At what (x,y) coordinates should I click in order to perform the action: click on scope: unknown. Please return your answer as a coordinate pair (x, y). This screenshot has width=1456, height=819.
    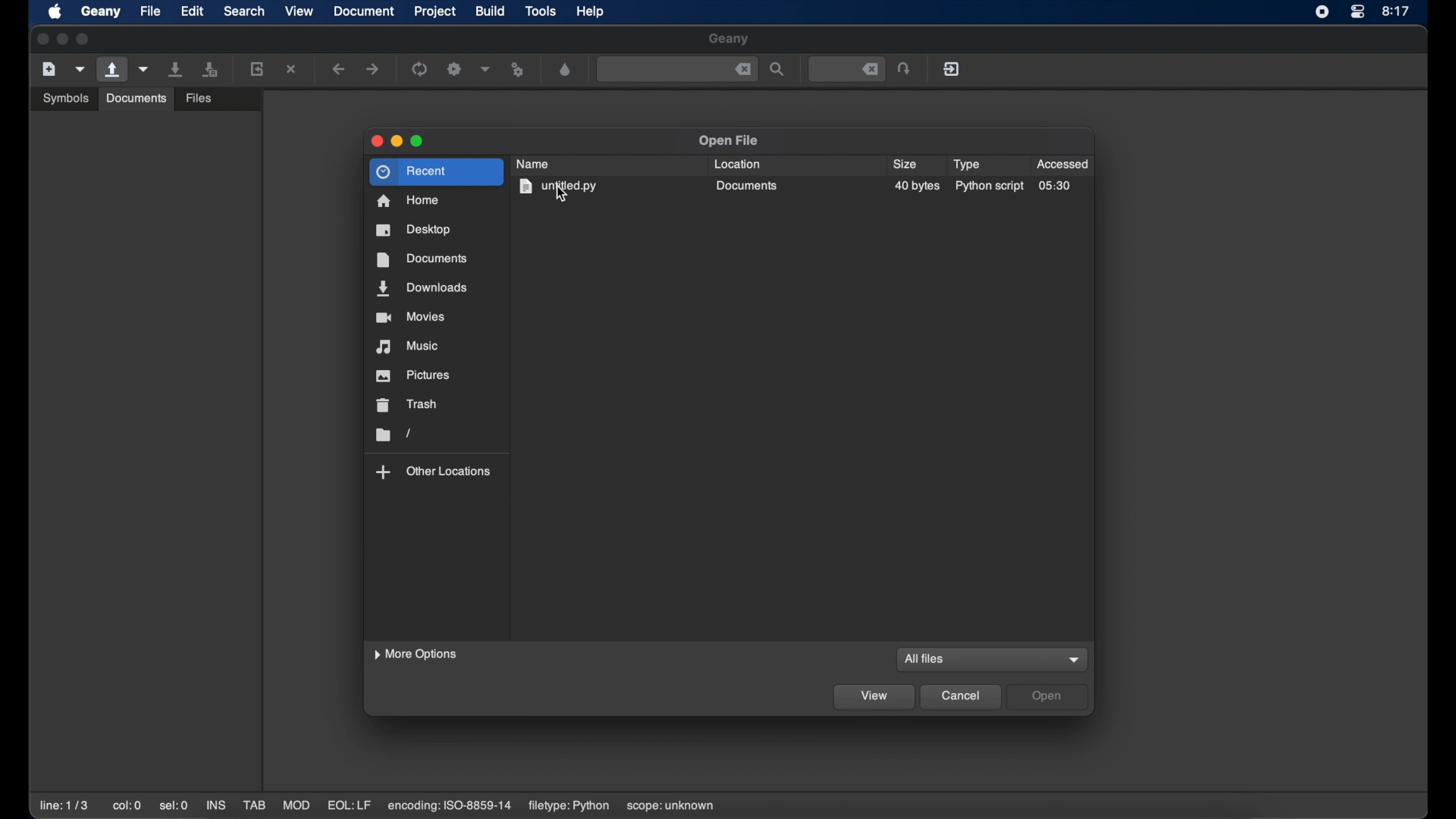
    Looking at the image, I should click on (673, 807).